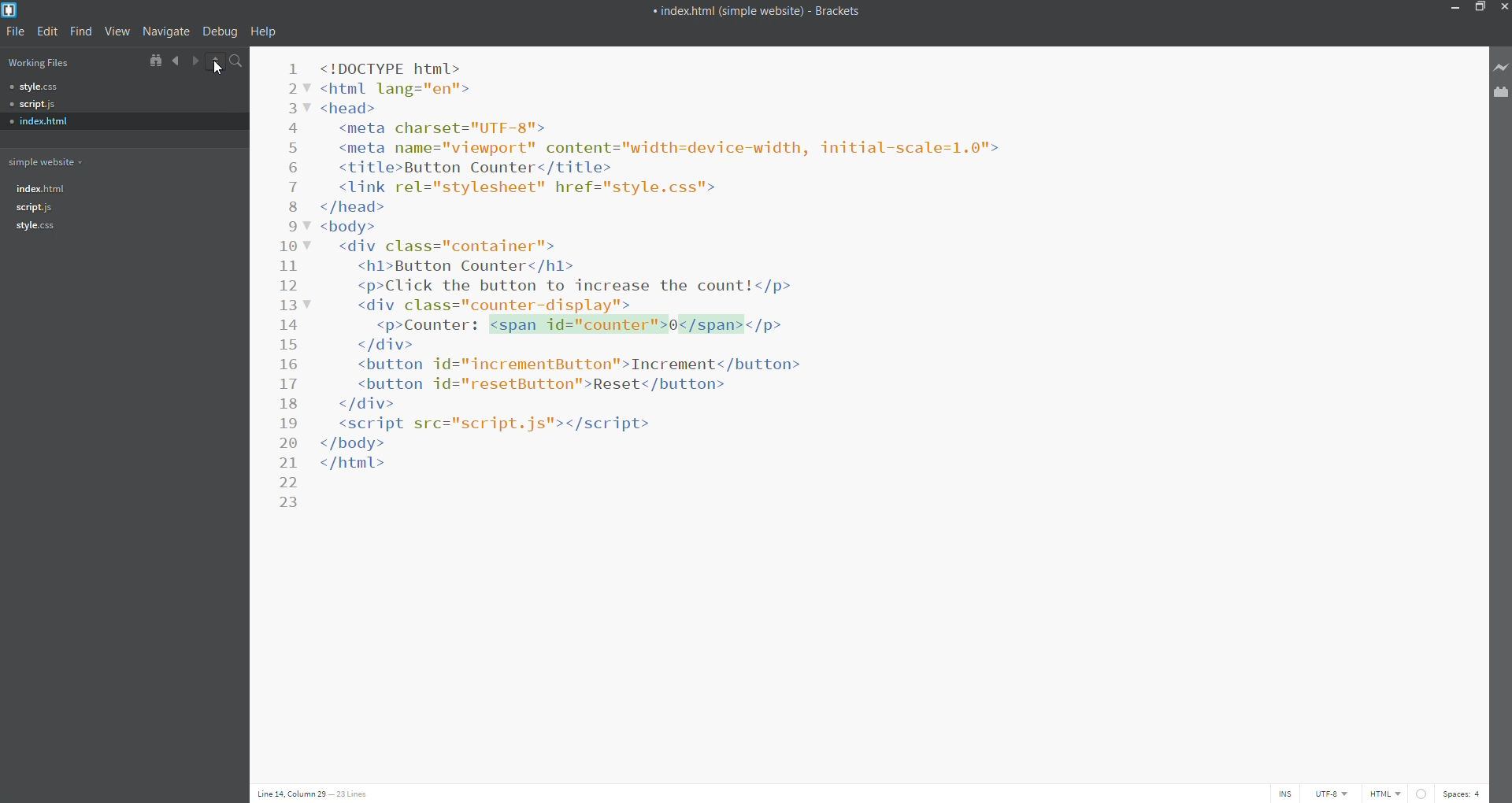 This screenshot has width=1512, height=803. What do you see at coordinates (101, 85) in the screenshot?
I see `style.css` at bounding box center [101, 85].